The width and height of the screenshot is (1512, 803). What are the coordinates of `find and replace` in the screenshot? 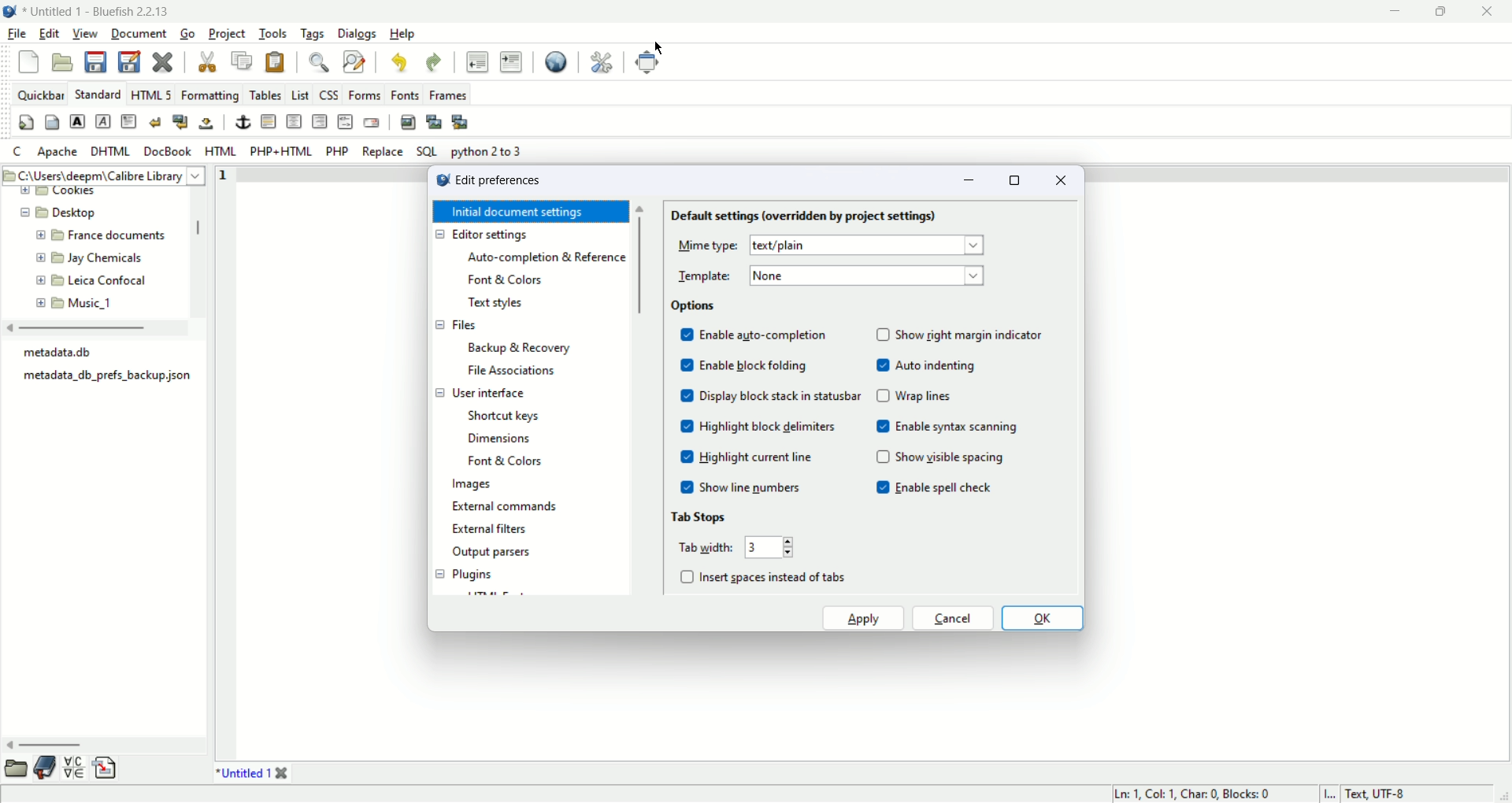 It's located at (354, 62).